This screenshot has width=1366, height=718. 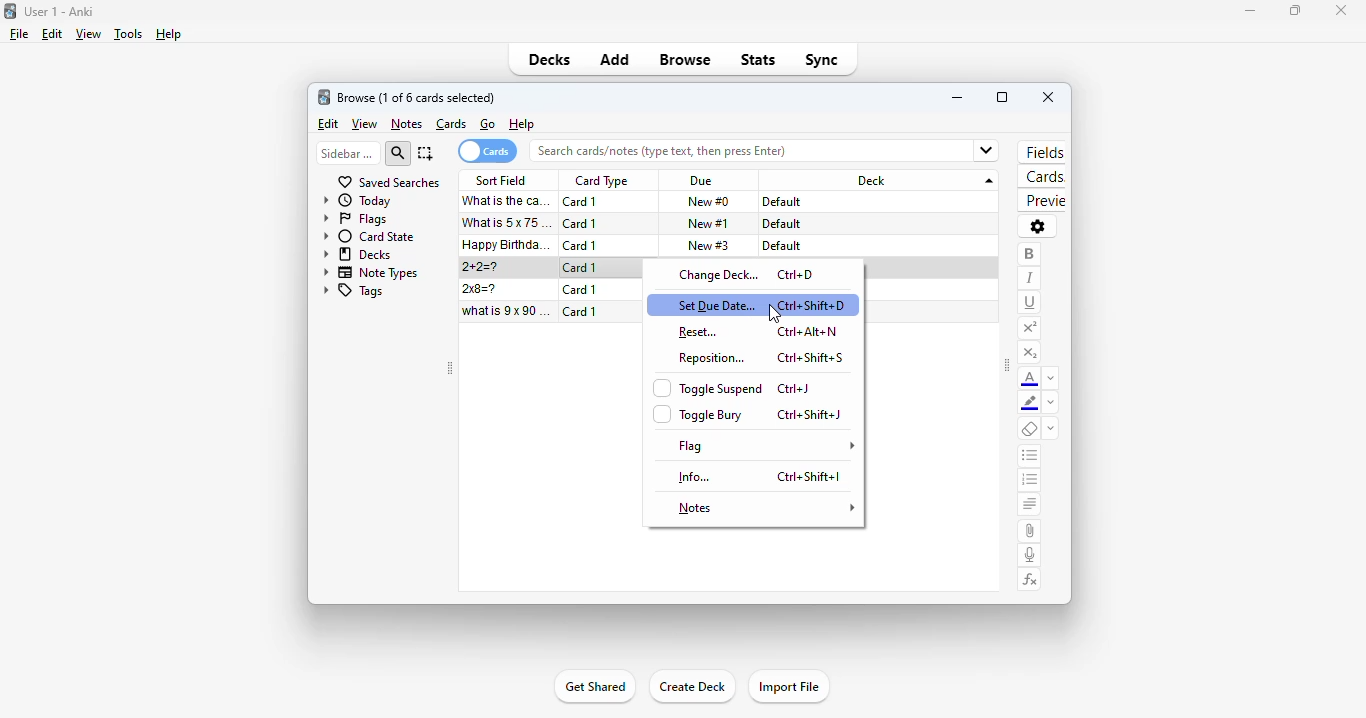 What do you see at coordinates (1042, 178) in the screenshot?
I see `cards` at bounding box center [1042, 178].